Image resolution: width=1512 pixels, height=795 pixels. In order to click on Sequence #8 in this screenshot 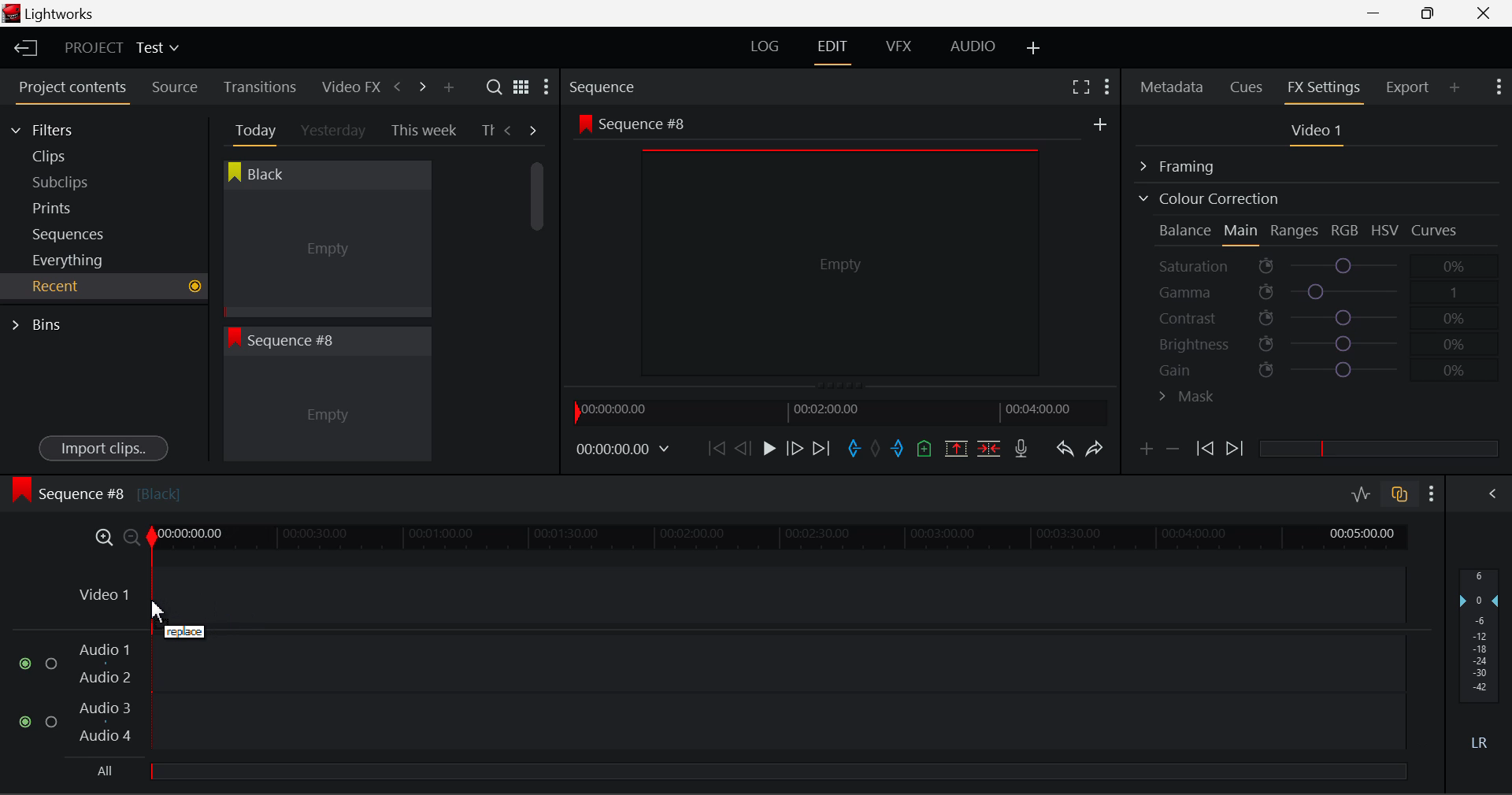, I will do `click(95, 490)`.